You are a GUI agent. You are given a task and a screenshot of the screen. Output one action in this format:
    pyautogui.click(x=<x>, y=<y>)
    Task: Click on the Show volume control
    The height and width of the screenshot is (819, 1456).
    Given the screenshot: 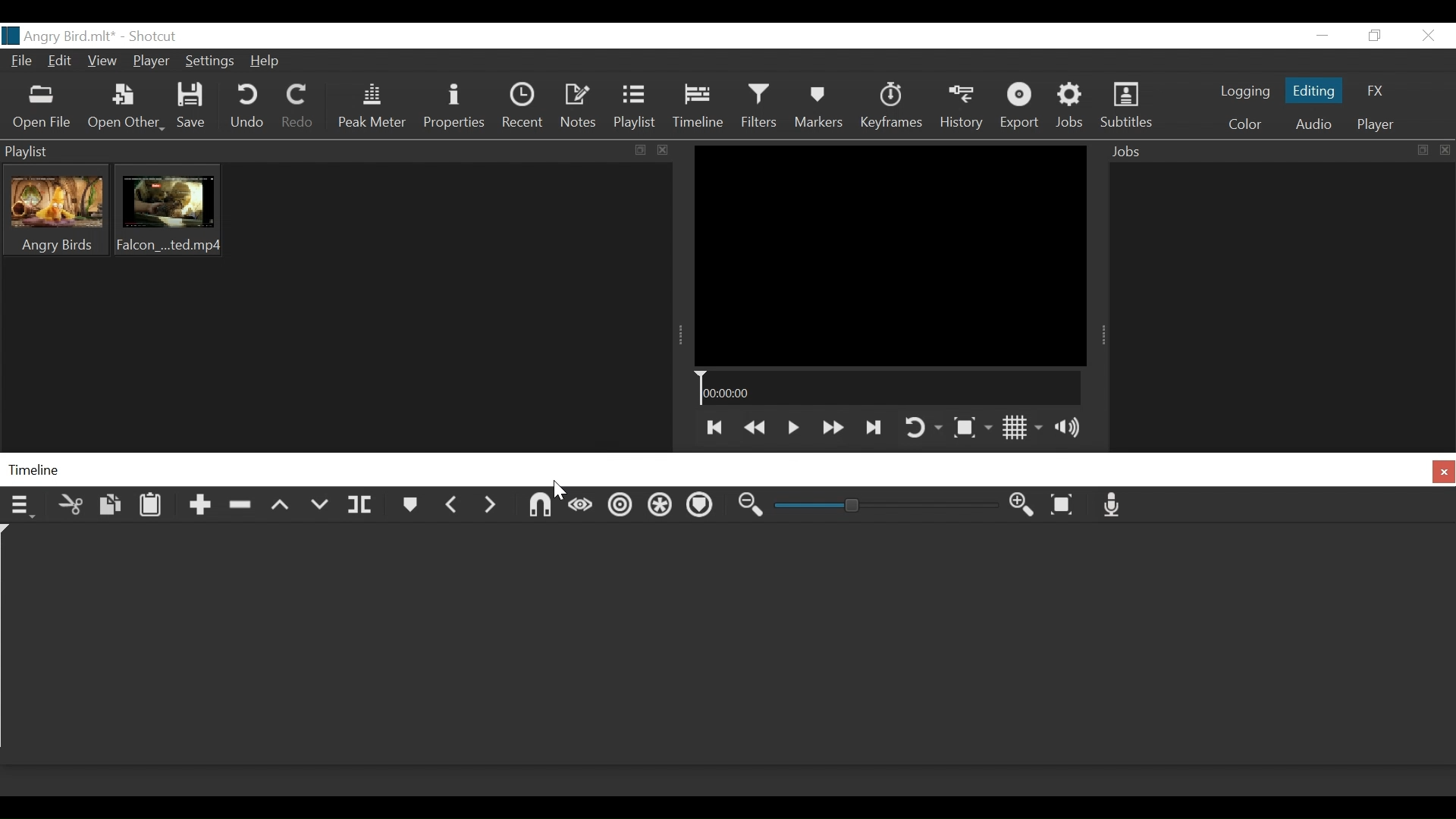 What is the action you would take?
    pyautogui.click(x=1075, y=428)
    